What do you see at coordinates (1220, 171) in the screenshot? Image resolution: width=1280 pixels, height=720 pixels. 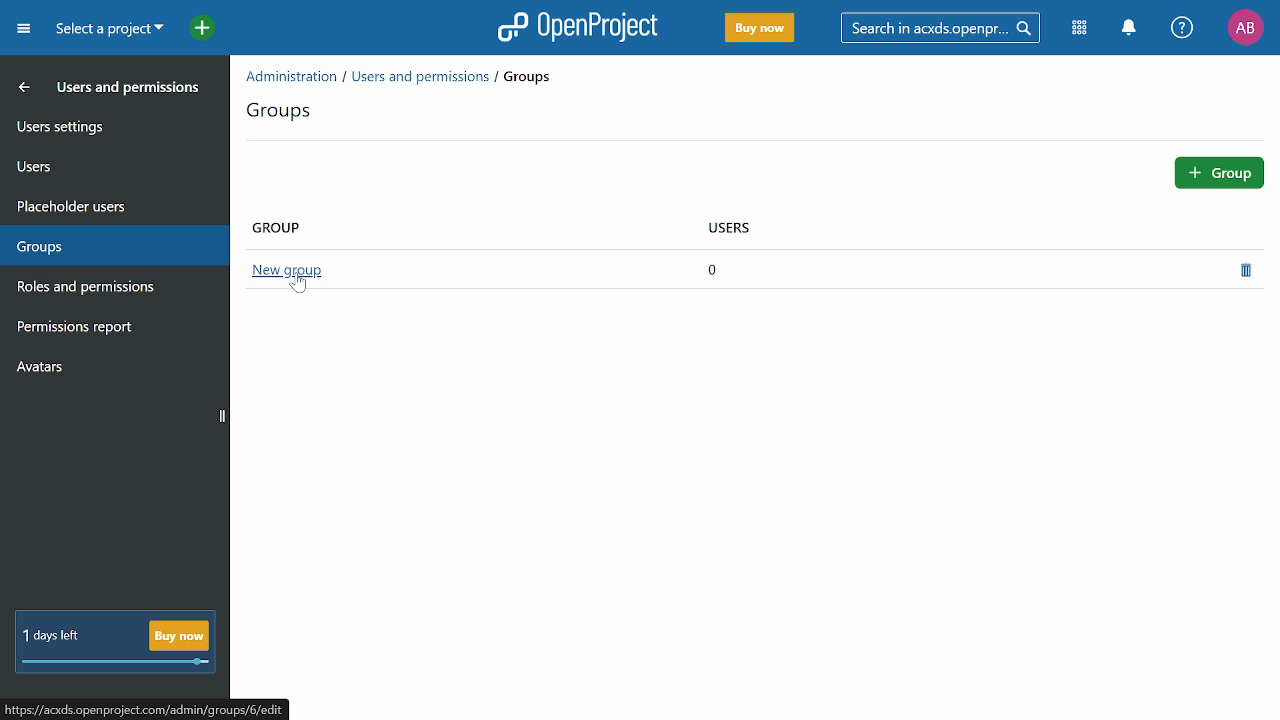 I see `+ group` at bounding box center [1220, 171].